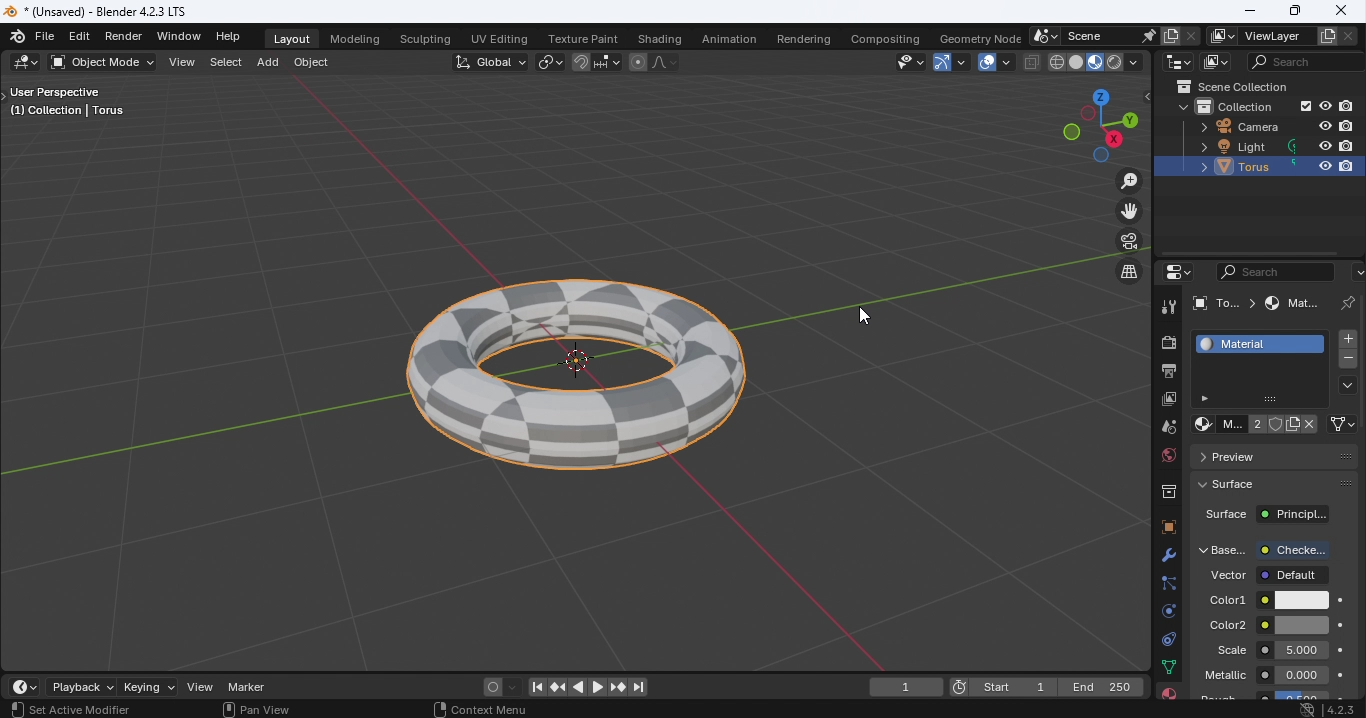 This screenshot has width=1366, height=718. What do you see at coordinates (1253, 254) in the screenshot?
I see `Scroll bar` at bounding box center [1253, 254].